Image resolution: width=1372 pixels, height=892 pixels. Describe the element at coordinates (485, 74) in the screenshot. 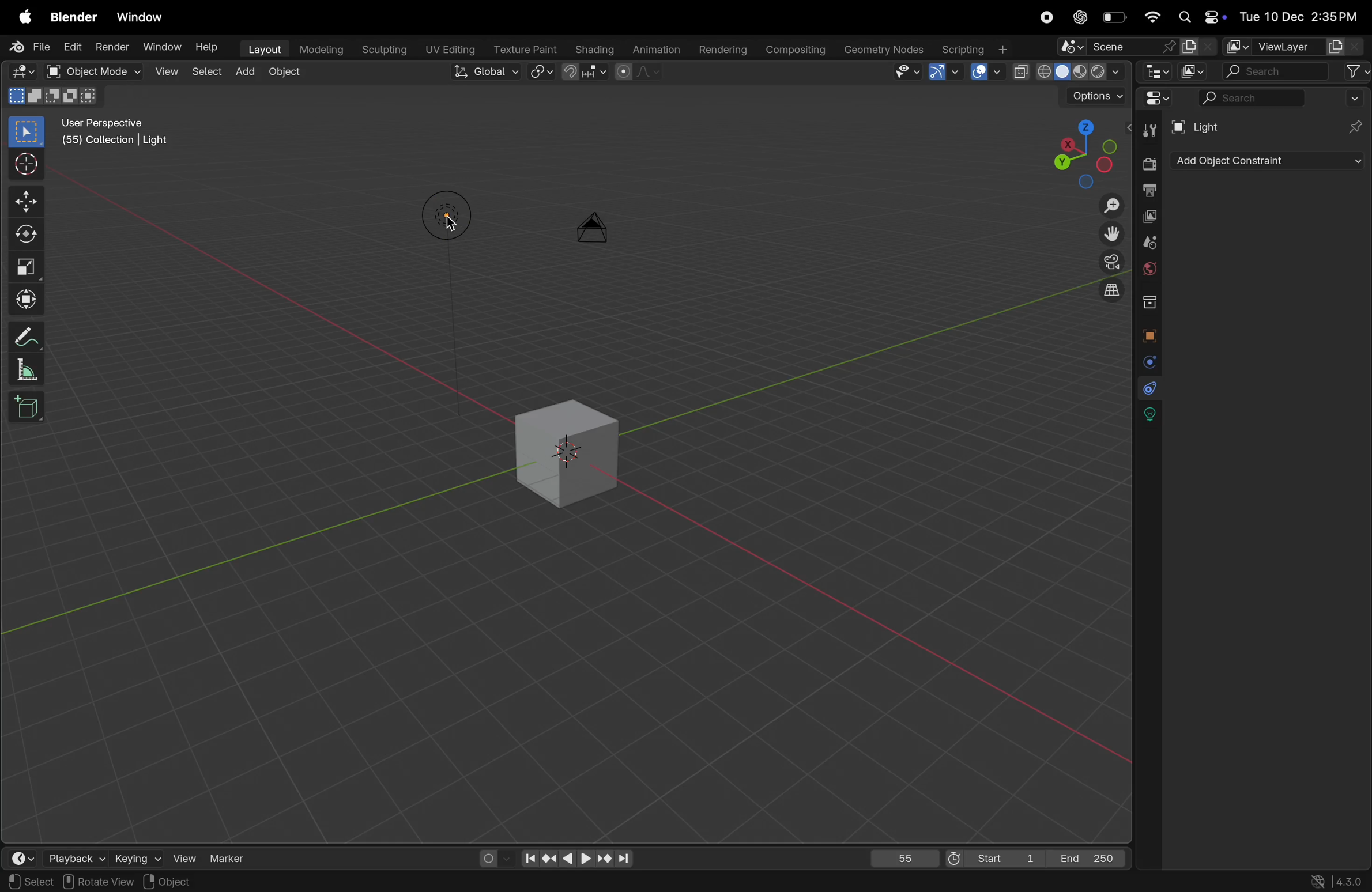

I see `Global` at that location.